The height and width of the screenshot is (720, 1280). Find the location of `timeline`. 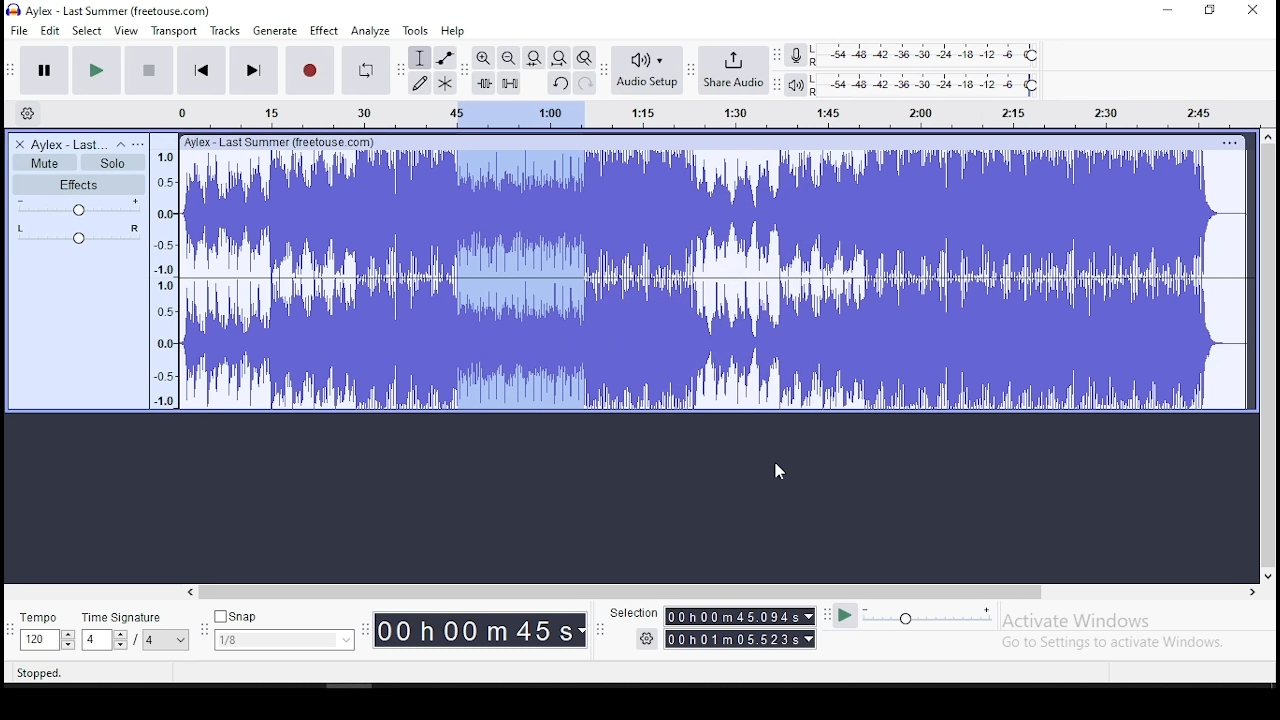

timeline is located at coordinates (698, 113).